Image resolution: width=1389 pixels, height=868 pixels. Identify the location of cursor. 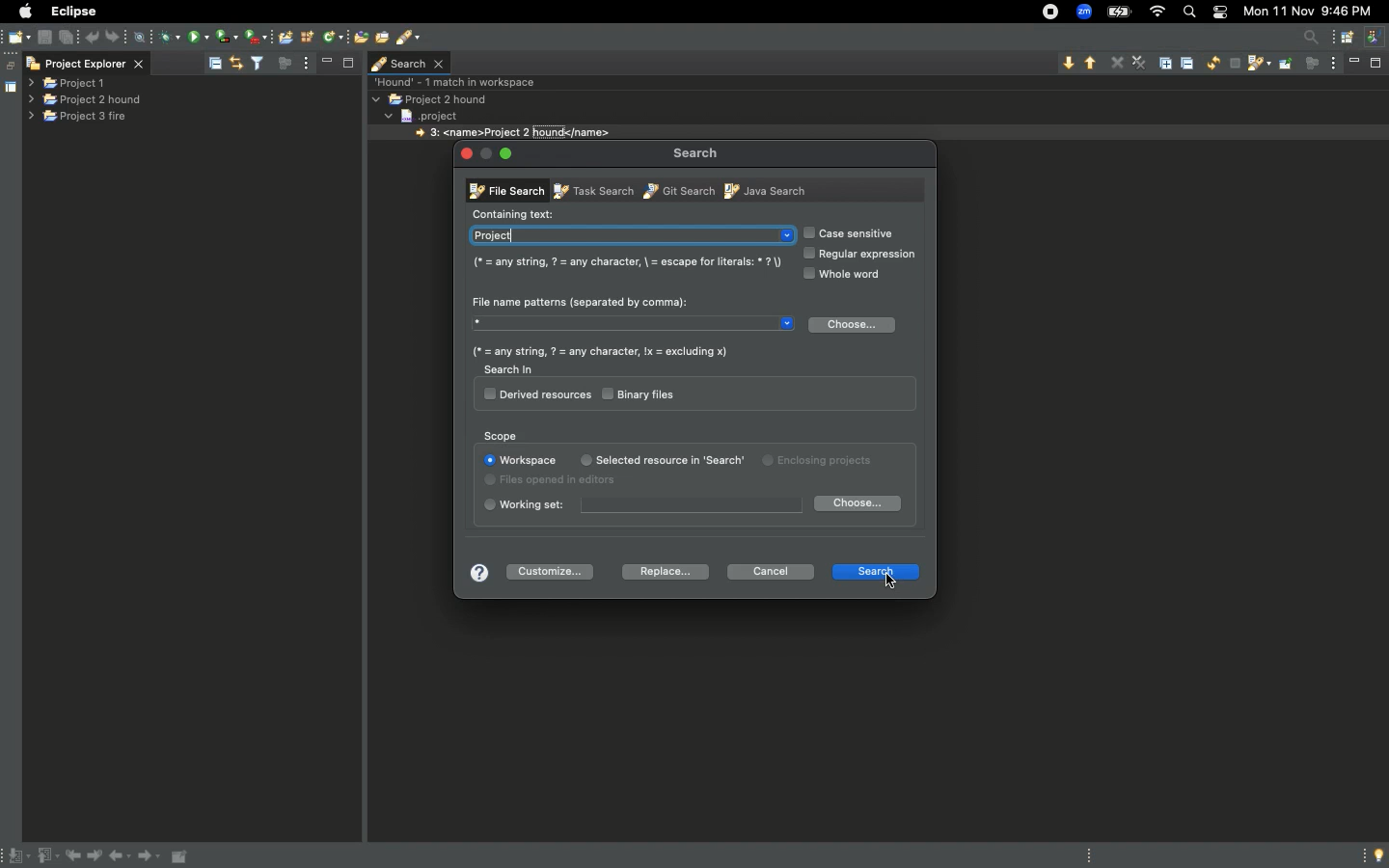
(888, 582).